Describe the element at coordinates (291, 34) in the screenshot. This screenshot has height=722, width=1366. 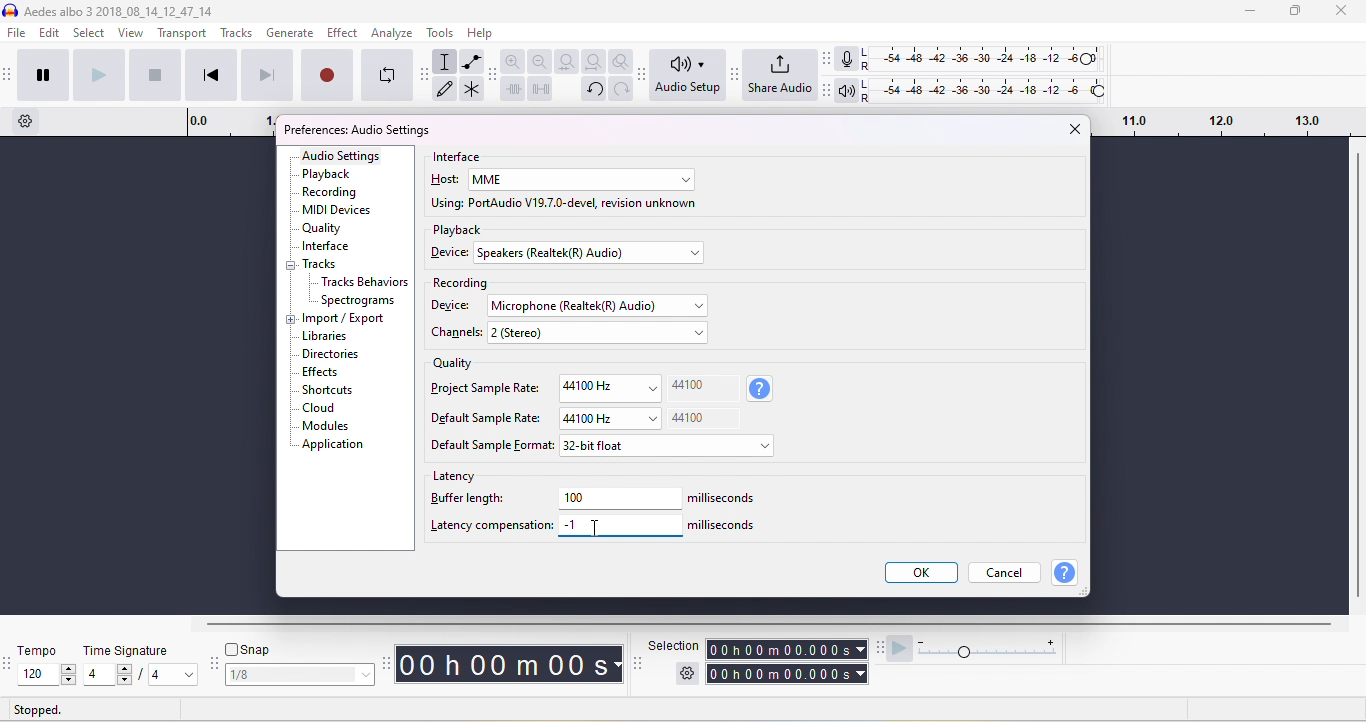
I see `generate` at that location.